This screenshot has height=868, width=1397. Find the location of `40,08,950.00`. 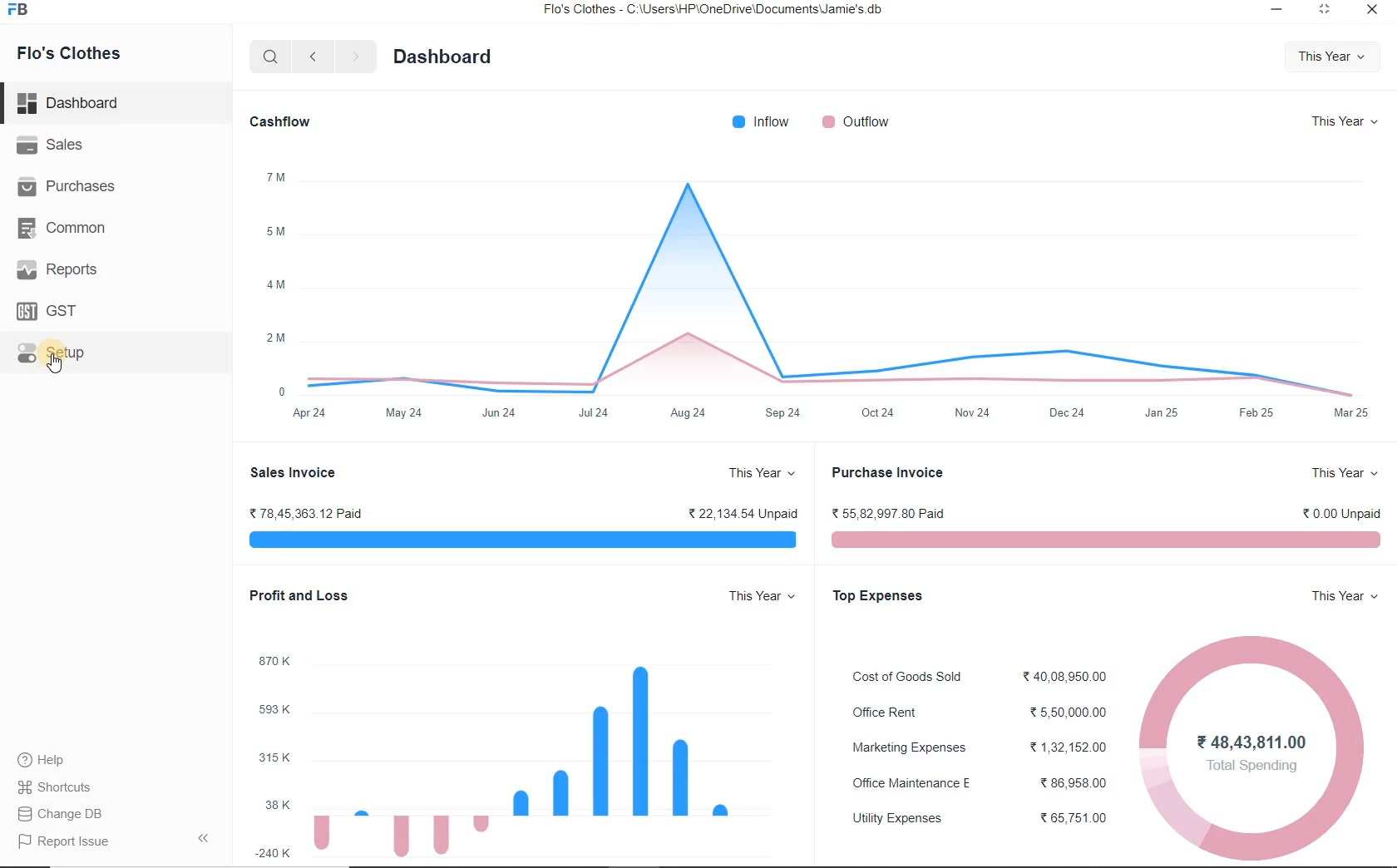

40,08,950.00 is located at coordinates (1063, 674).